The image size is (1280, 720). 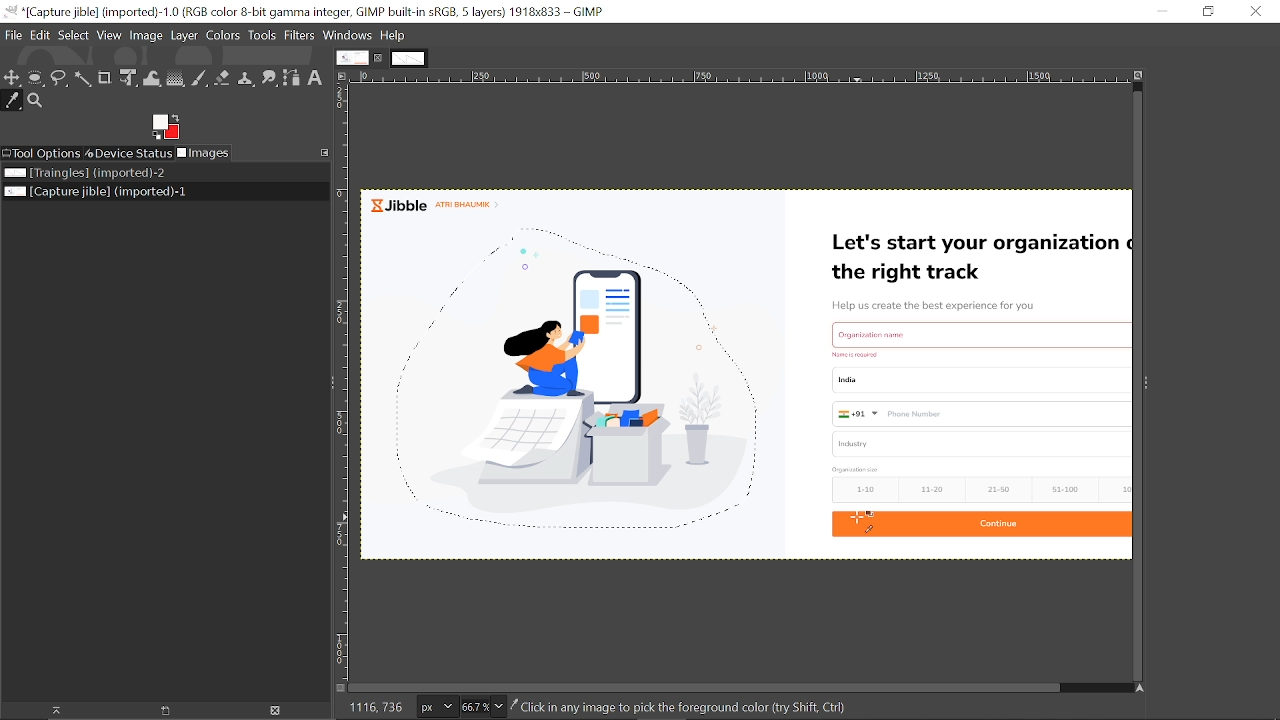 I want to click on Image, so click(x=146, y=36).